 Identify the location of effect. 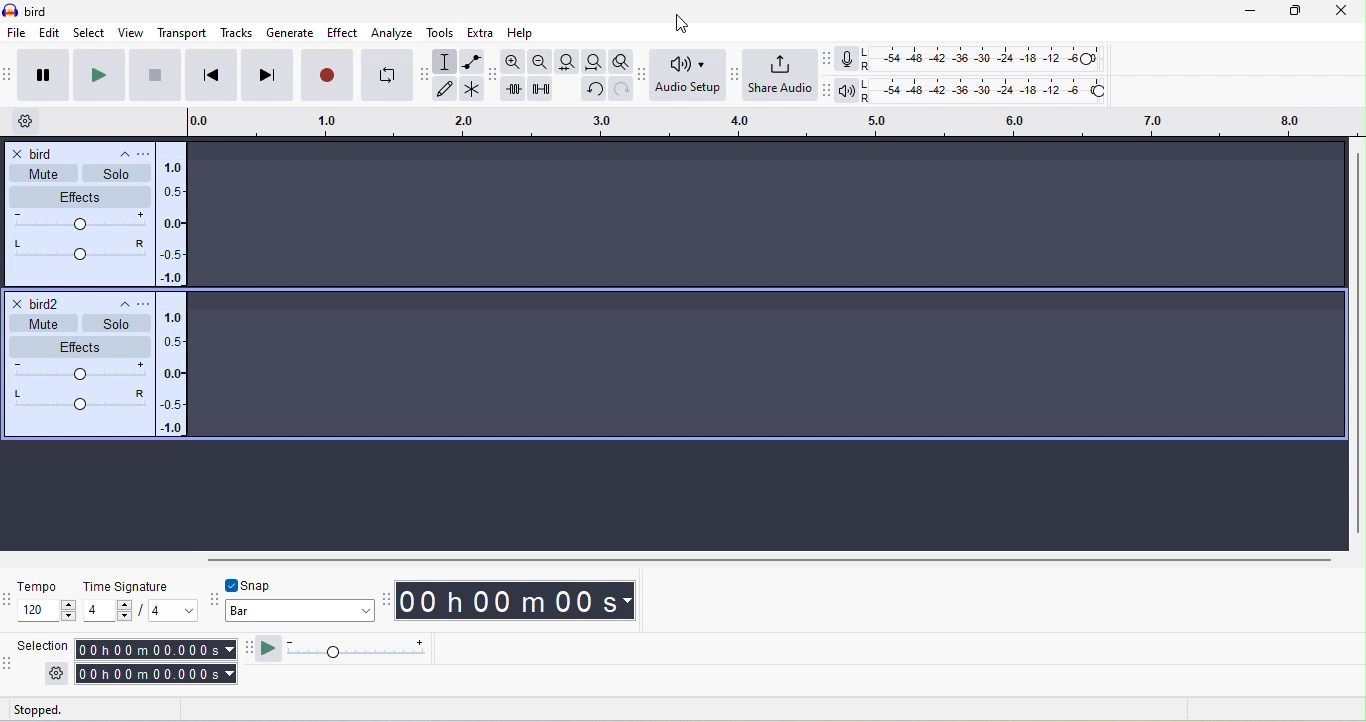
(340, 32).